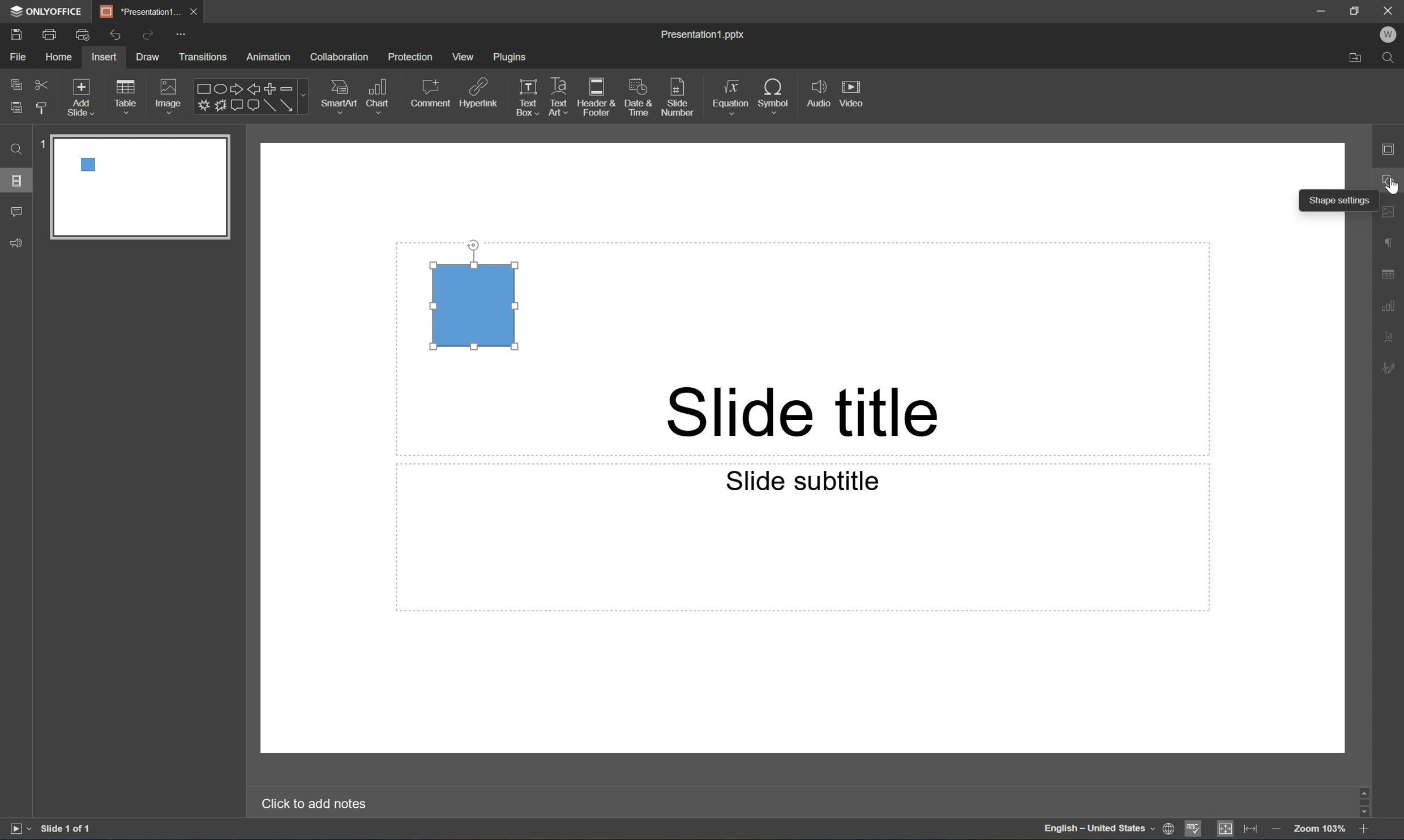 This screenshot has height=840, width=1404. I want to click on Slides, so click(16, 179).